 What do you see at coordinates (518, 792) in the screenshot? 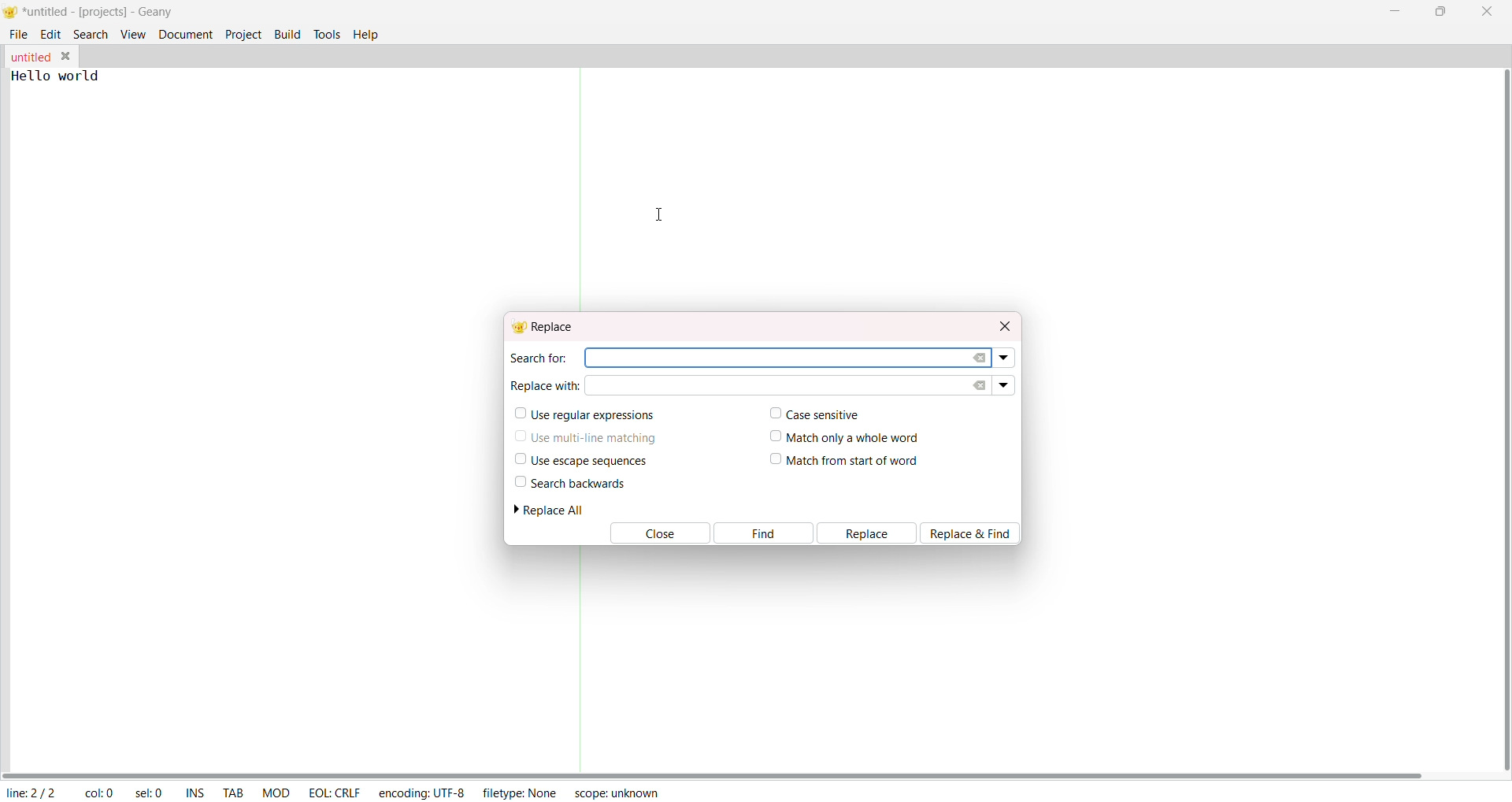
I see `filetype: NONE` at bounding box center [518, 792].